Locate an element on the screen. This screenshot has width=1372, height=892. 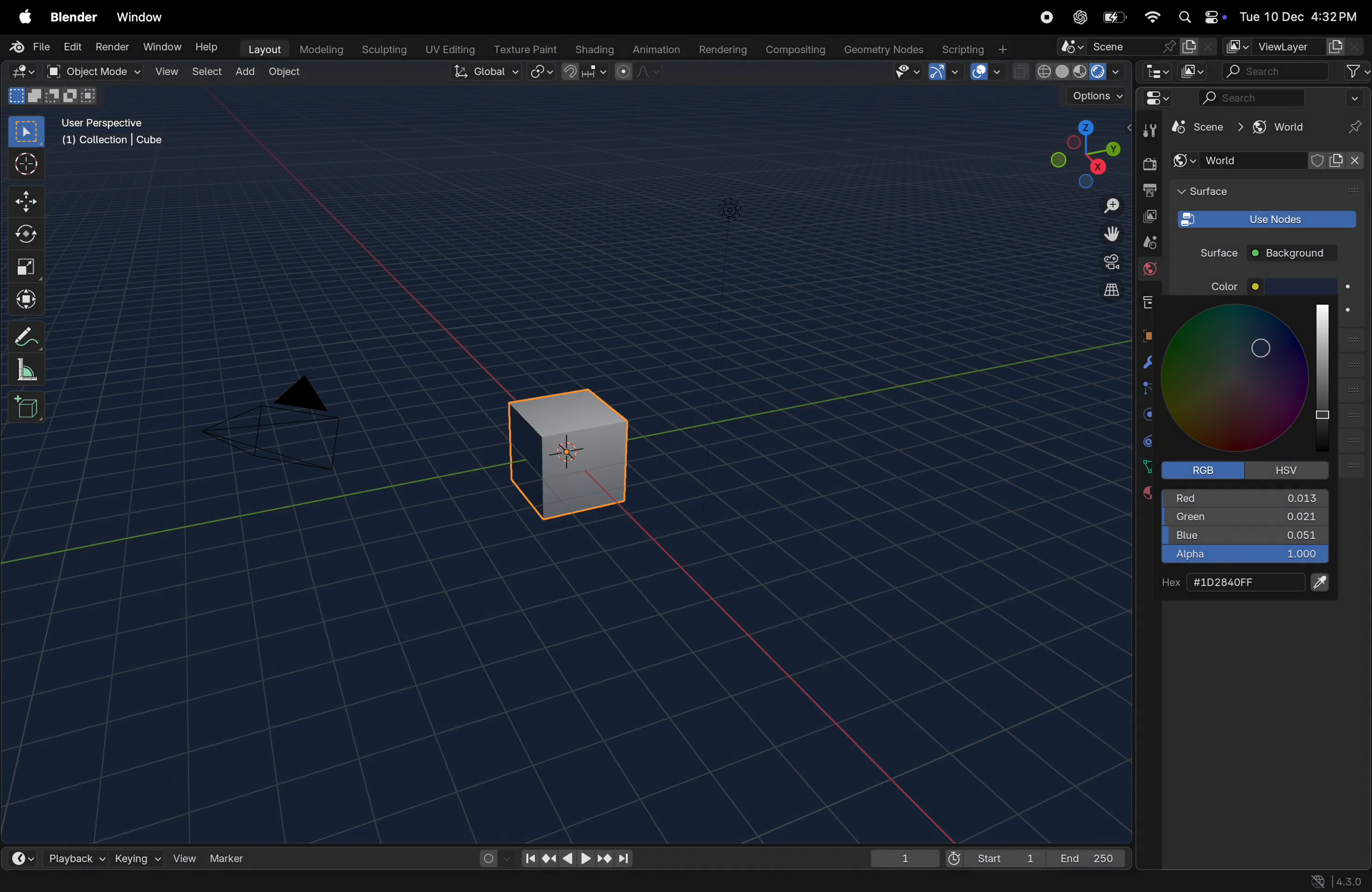
Composting is located at coordinates (793, 51).